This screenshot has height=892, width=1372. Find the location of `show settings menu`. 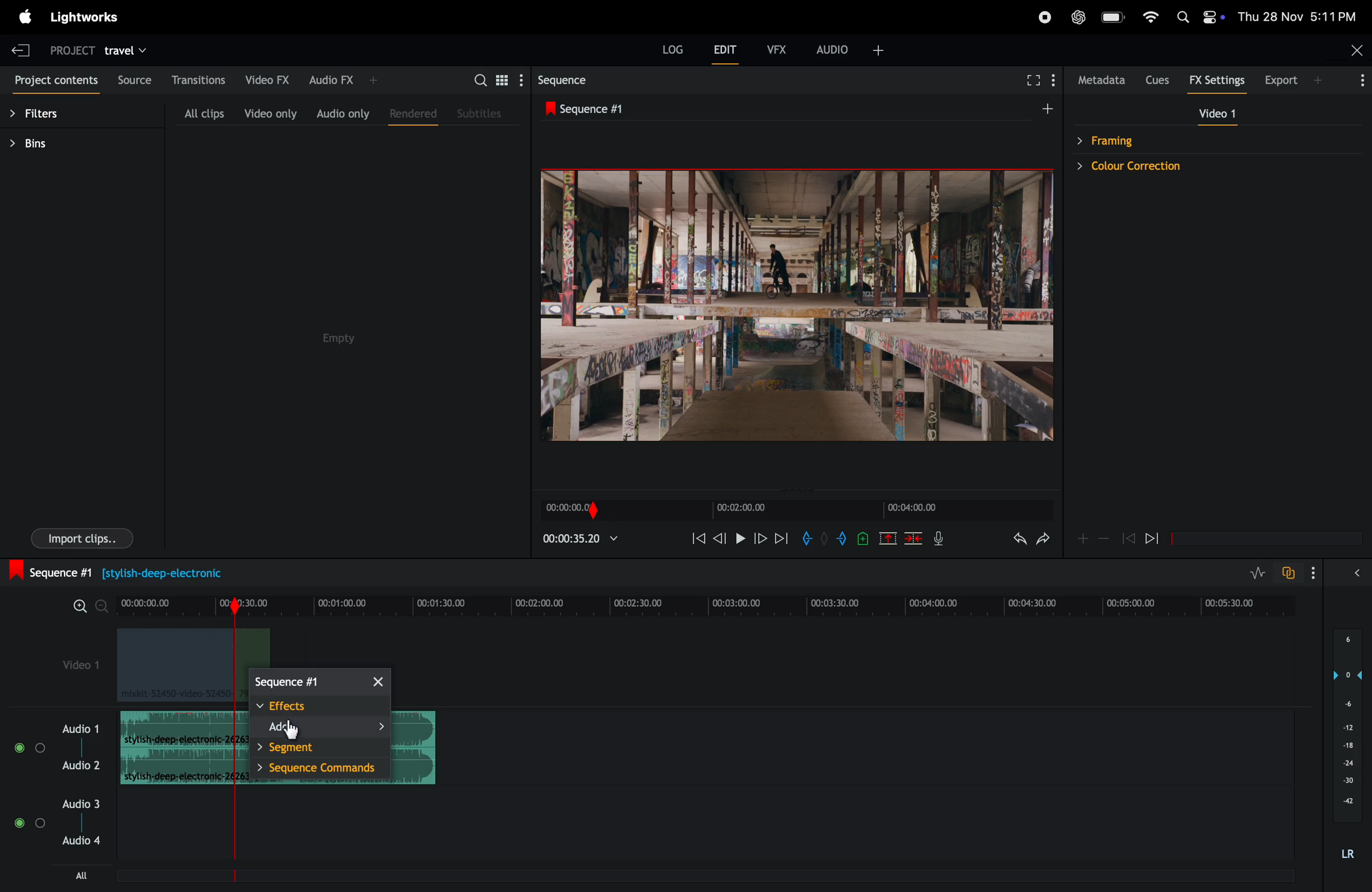

show settings menu is located at coordinates (521, 81).